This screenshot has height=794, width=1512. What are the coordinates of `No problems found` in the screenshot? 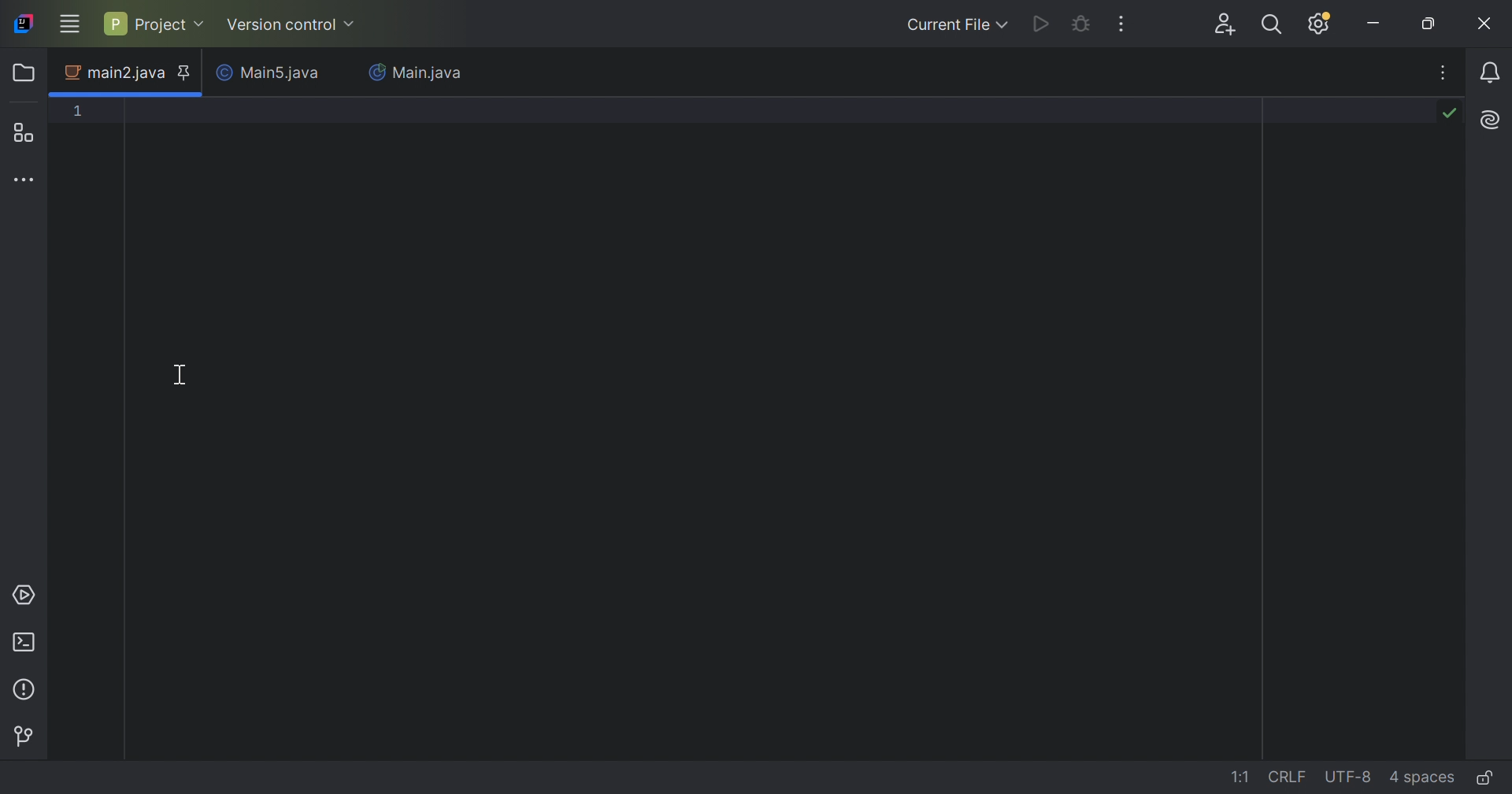 It's located at (1448, 111).